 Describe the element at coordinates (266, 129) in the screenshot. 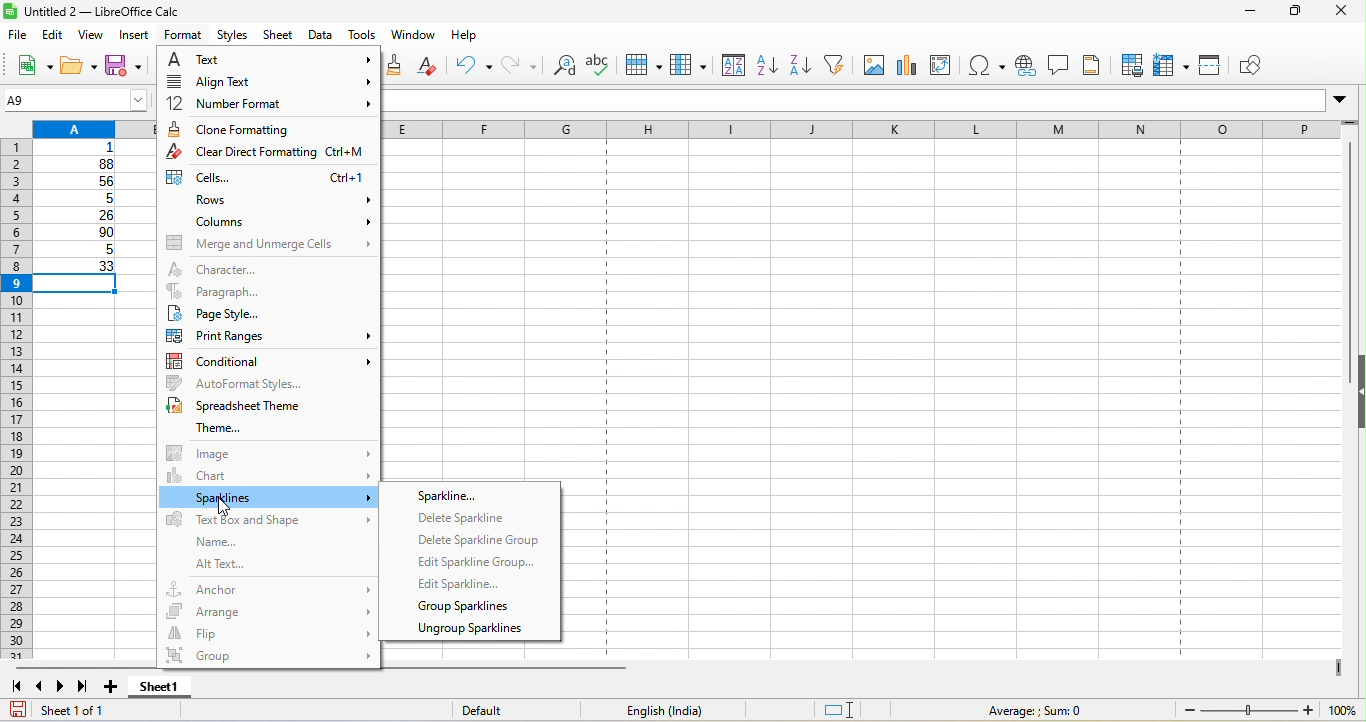

I see `clone formatting` at that location.